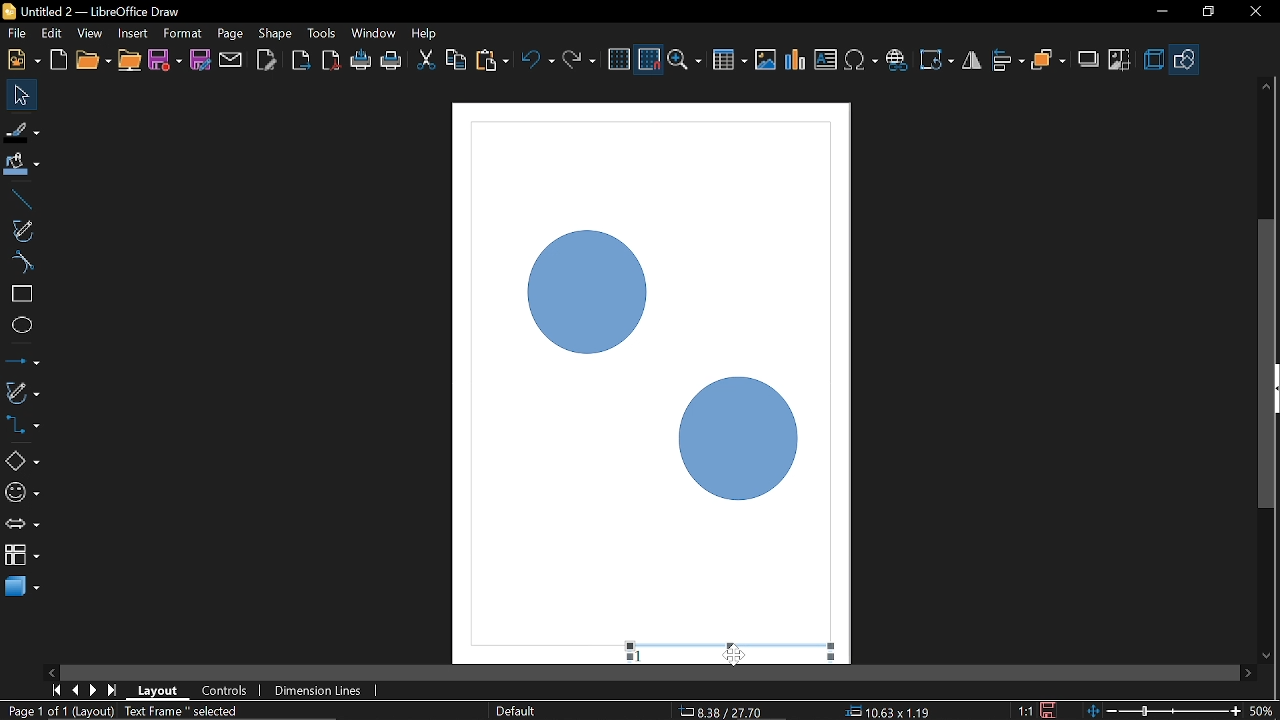 Image resolution: width=1280 pixels, height=720 pixels. Describe the element at coordinates (1120, 61) in the screenshot. I see `crop image` at that location.